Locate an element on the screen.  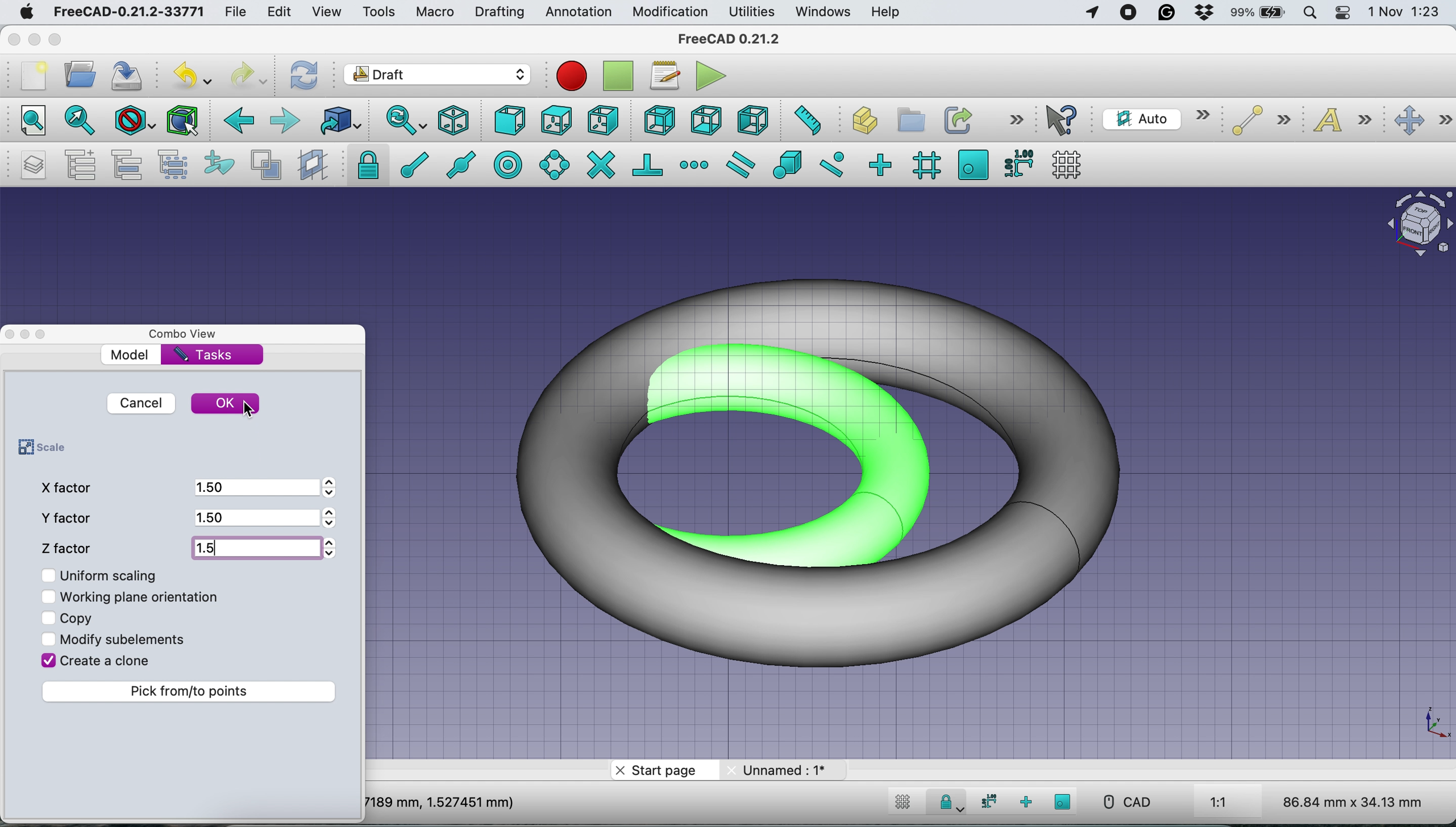
create group is located at coordinates (908, 118).